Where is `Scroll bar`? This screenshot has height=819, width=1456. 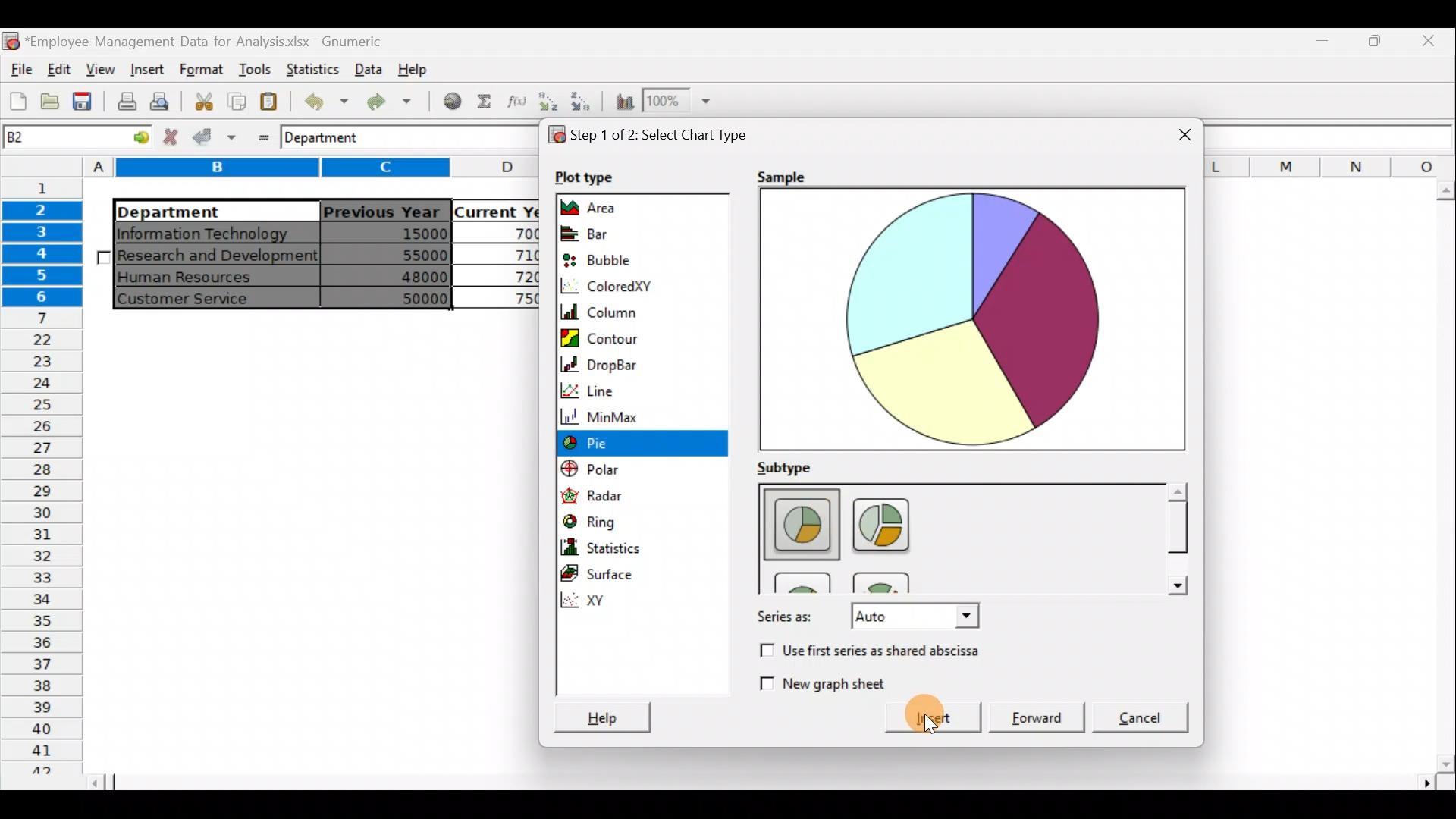
Scroll bar is located at coordinates (1175, 538).